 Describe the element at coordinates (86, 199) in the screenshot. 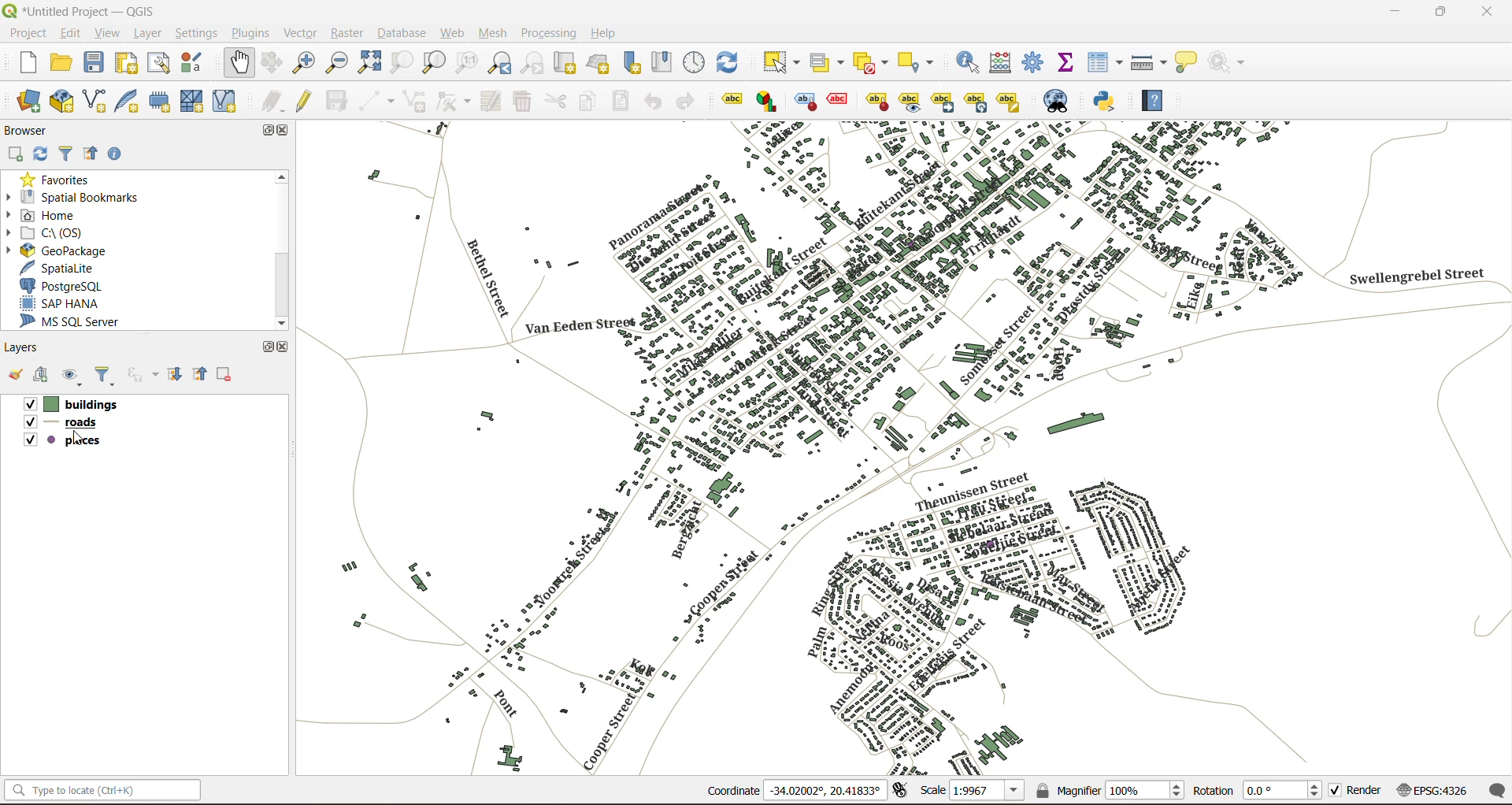

I see `spatial bookmarks` at that location.